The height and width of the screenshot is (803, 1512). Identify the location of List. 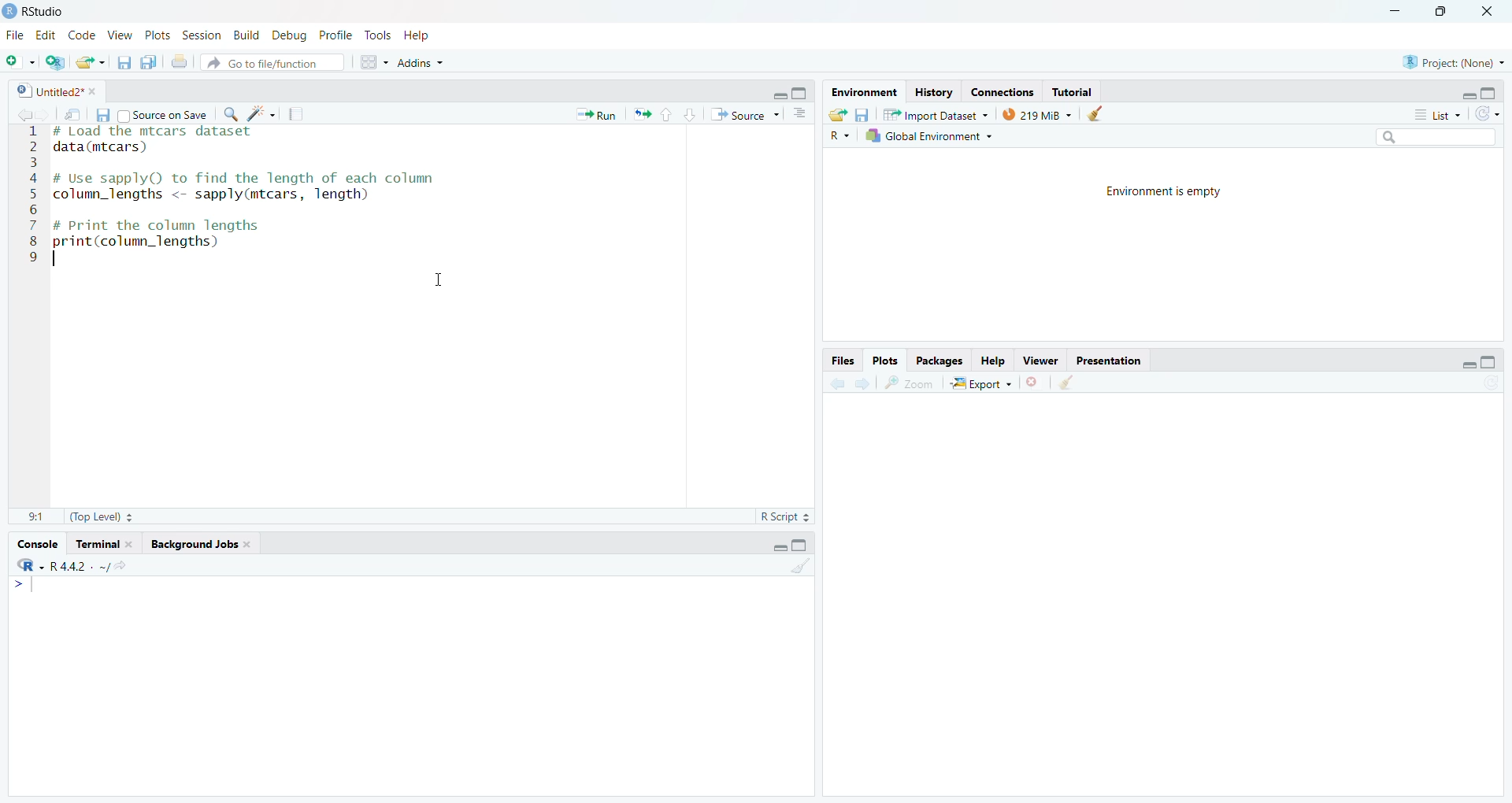
(1438, 114).